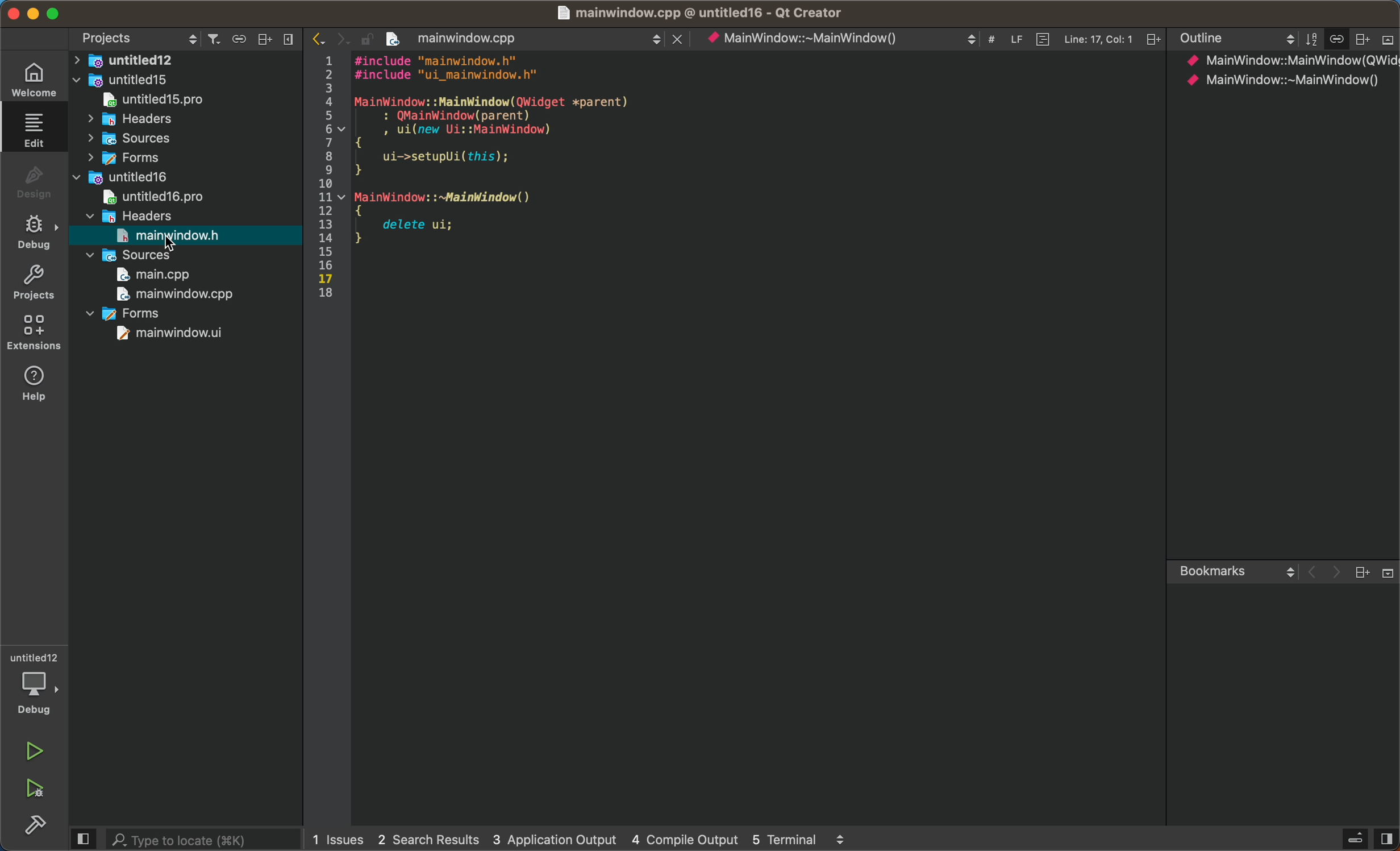  I want to click on outline, so click(1288, 204).